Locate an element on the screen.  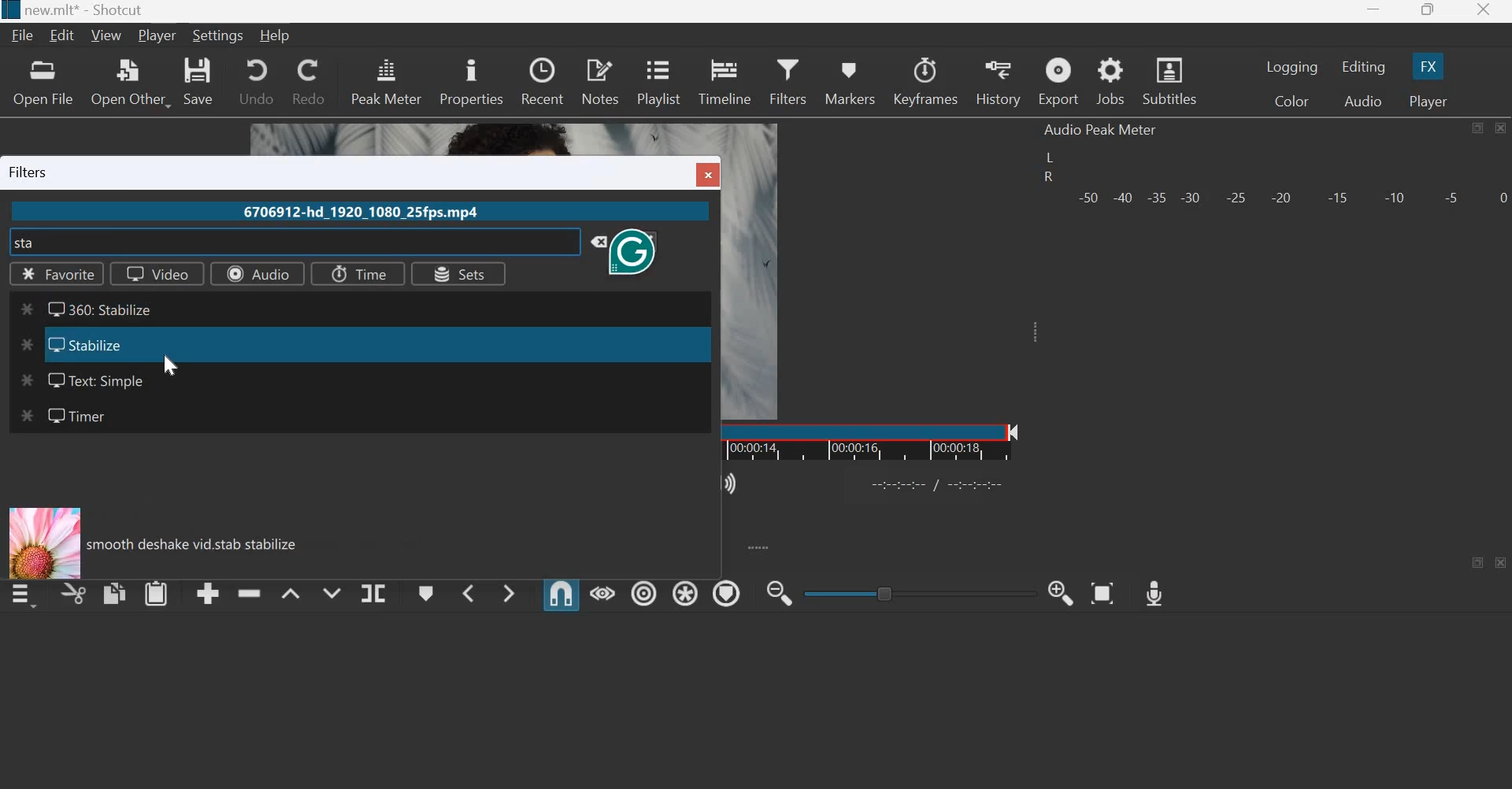
Audio is located at coordinates (258, 275).